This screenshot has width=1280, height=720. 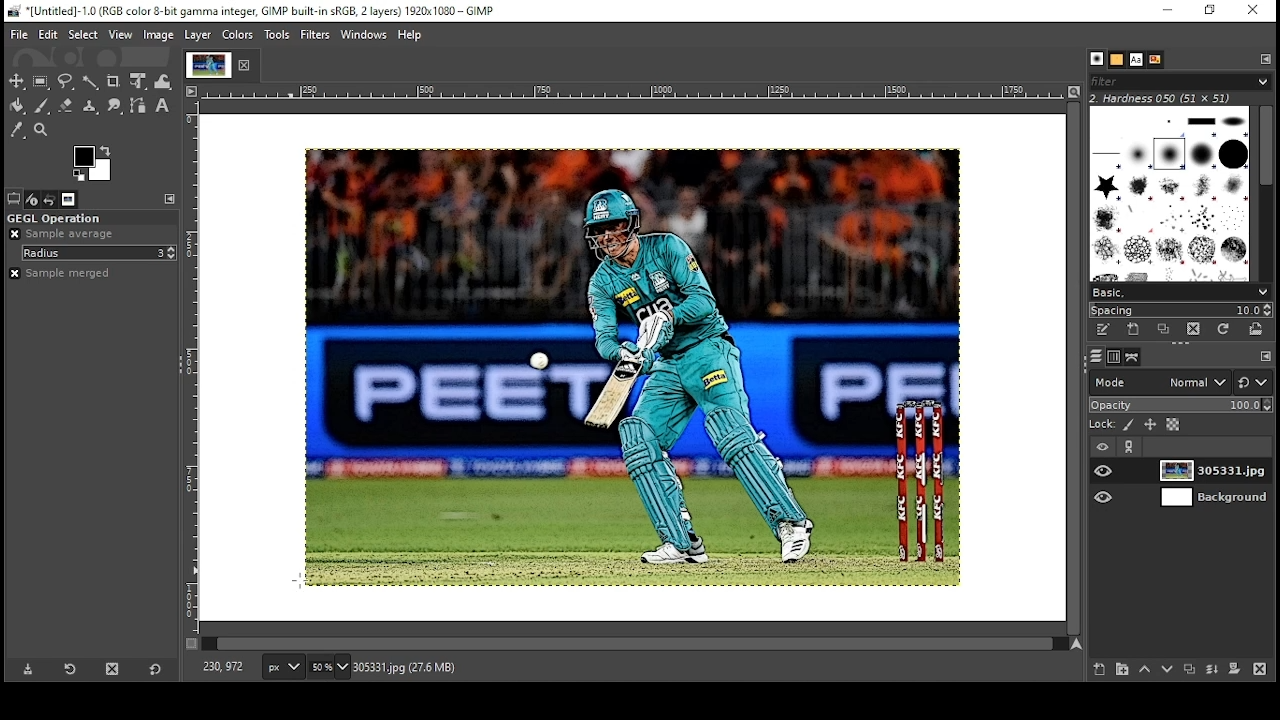 I want to click on configure this tab, so click(x=1264, y=358).